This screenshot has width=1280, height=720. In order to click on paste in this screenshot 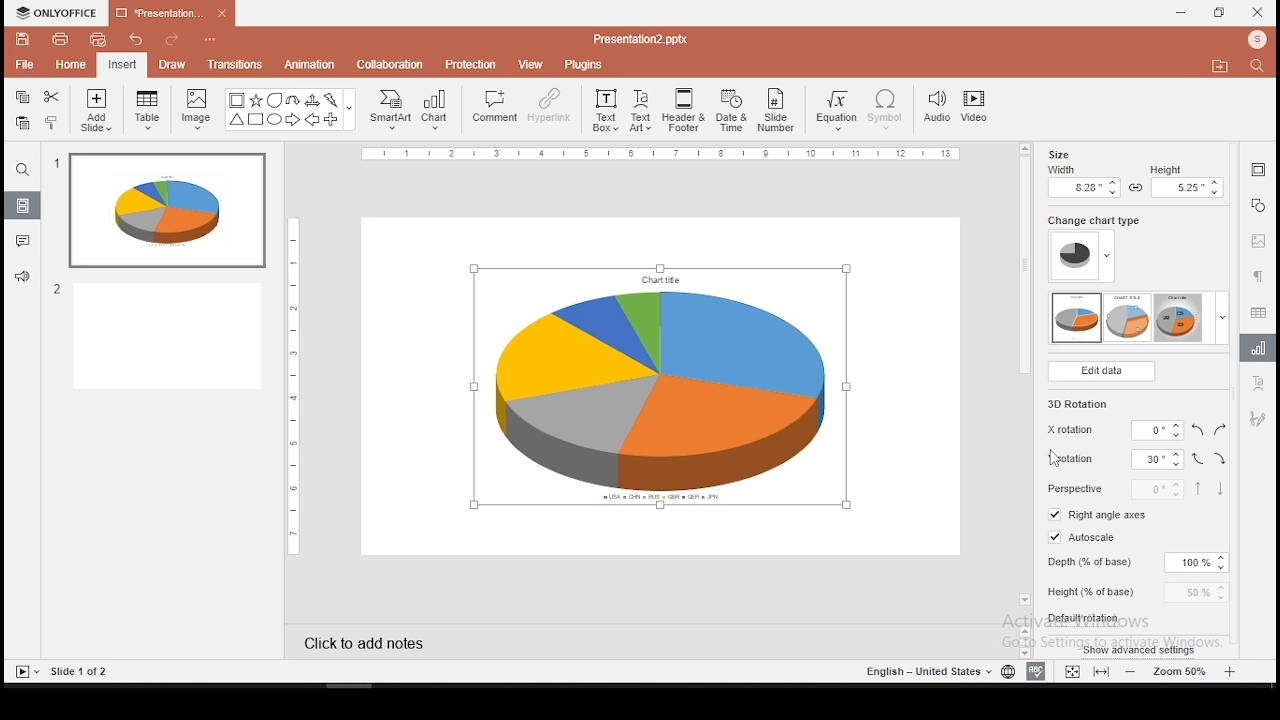, I will do `click(22, 123)`.